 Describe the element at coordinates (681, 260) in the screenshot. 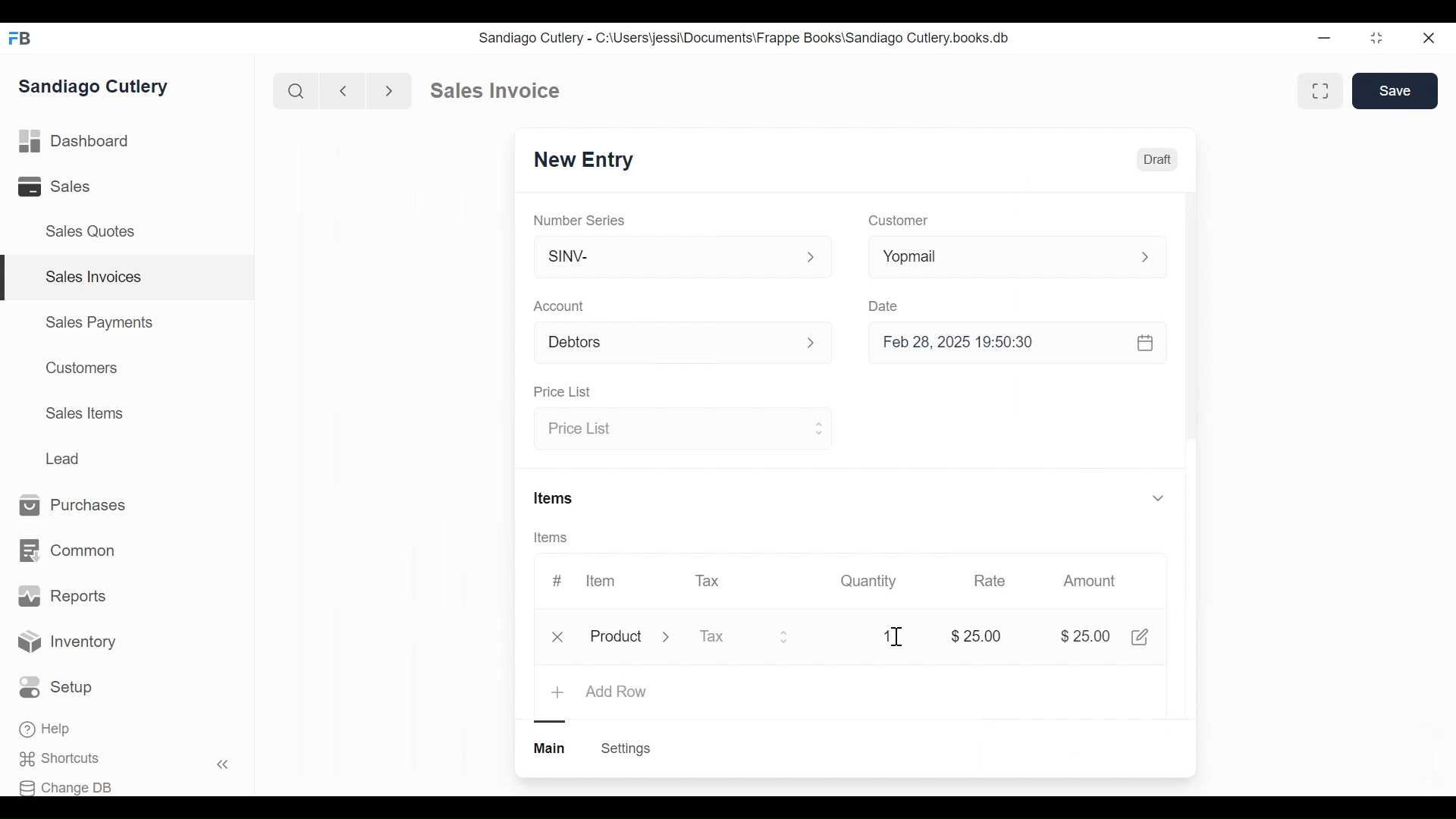

I see `SINV-` at that location.